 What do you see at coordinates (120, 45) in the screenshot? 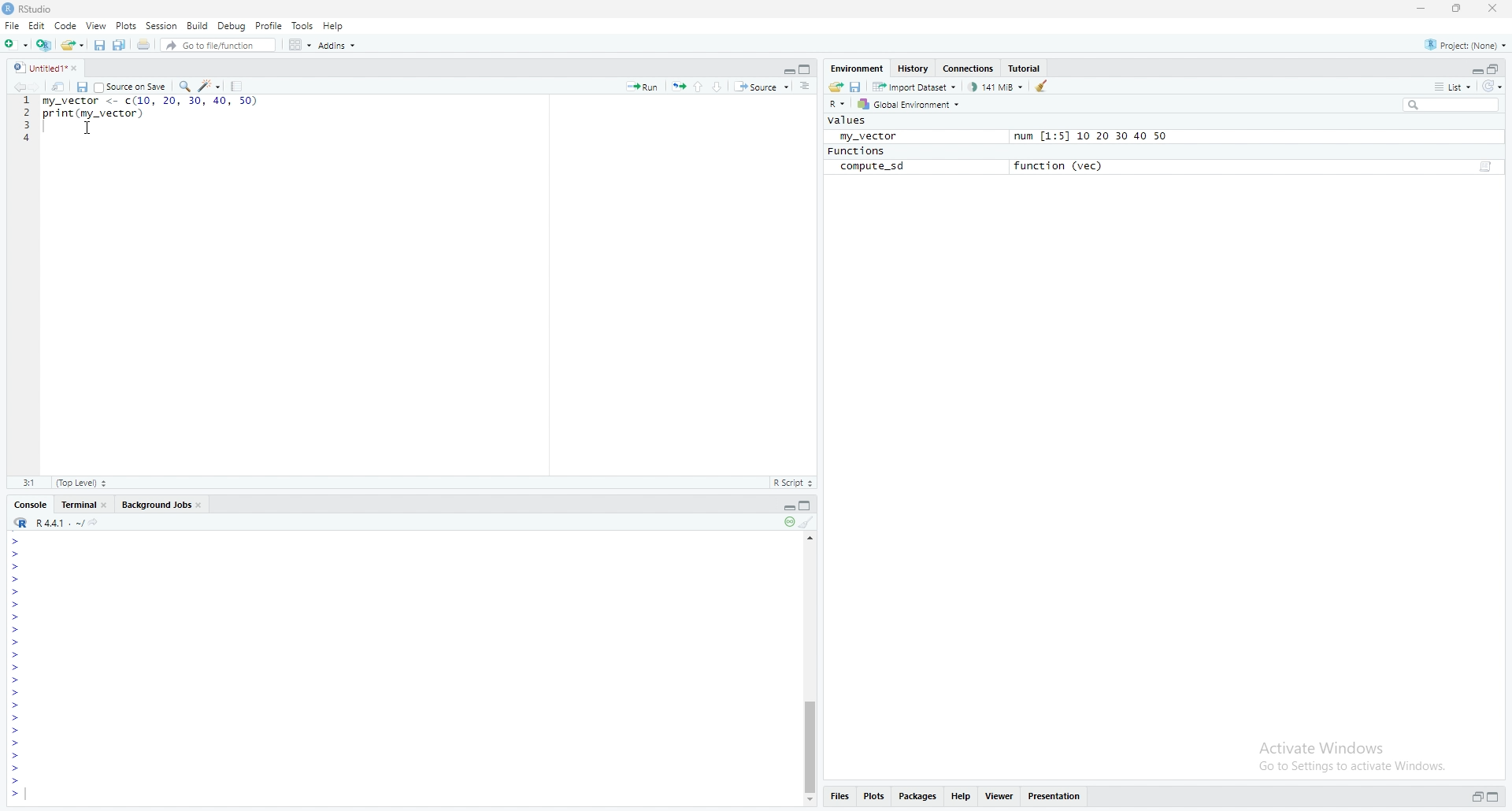
I see `Save all open documents (Ctrl + Alt + S)` at bounding box center [120, 45].